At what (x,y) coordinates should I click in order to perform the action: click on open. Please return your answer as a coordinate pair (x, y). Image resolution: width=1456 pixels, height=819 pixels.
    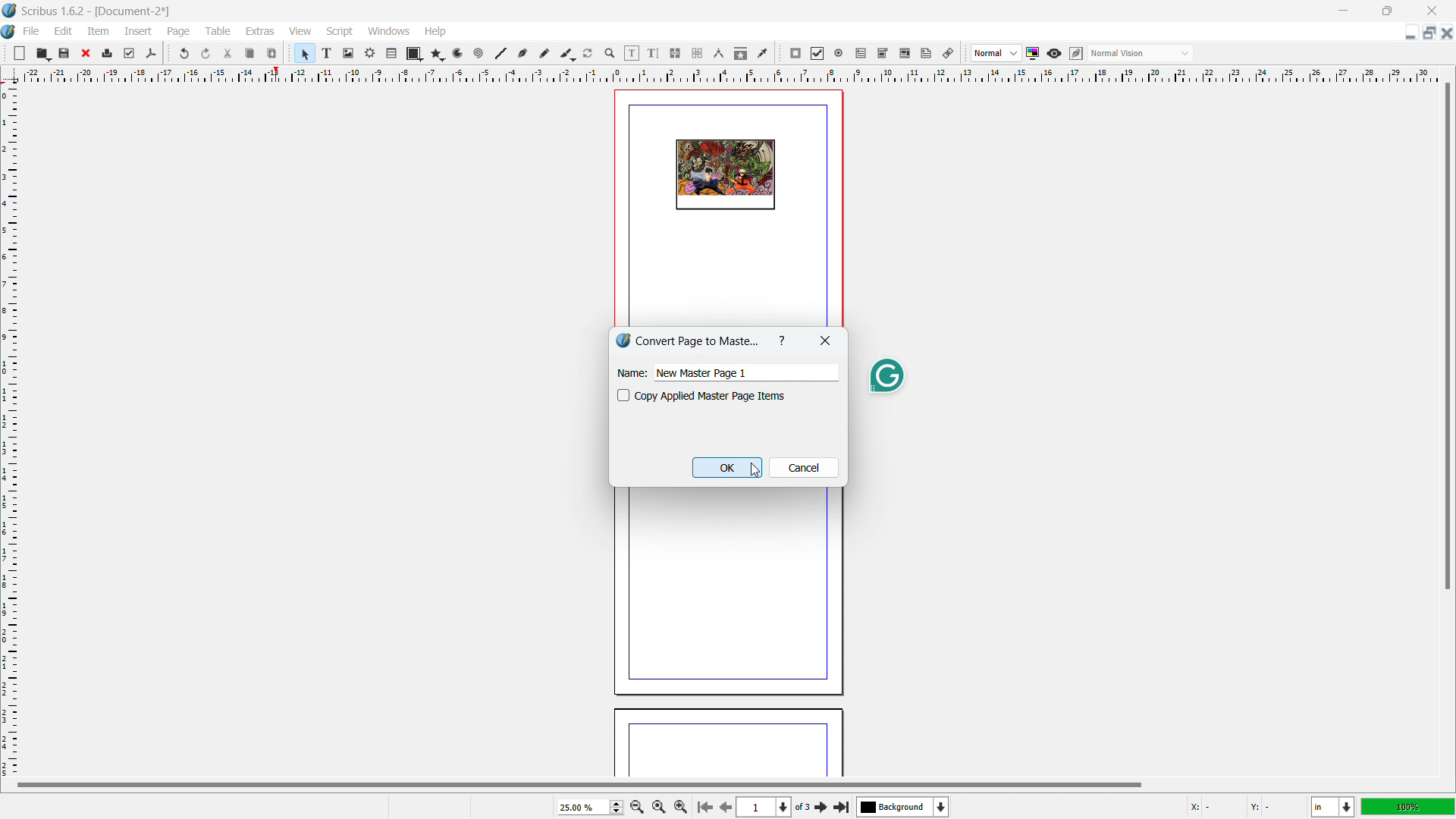
    Looking at the image, I should click on (42, 53).